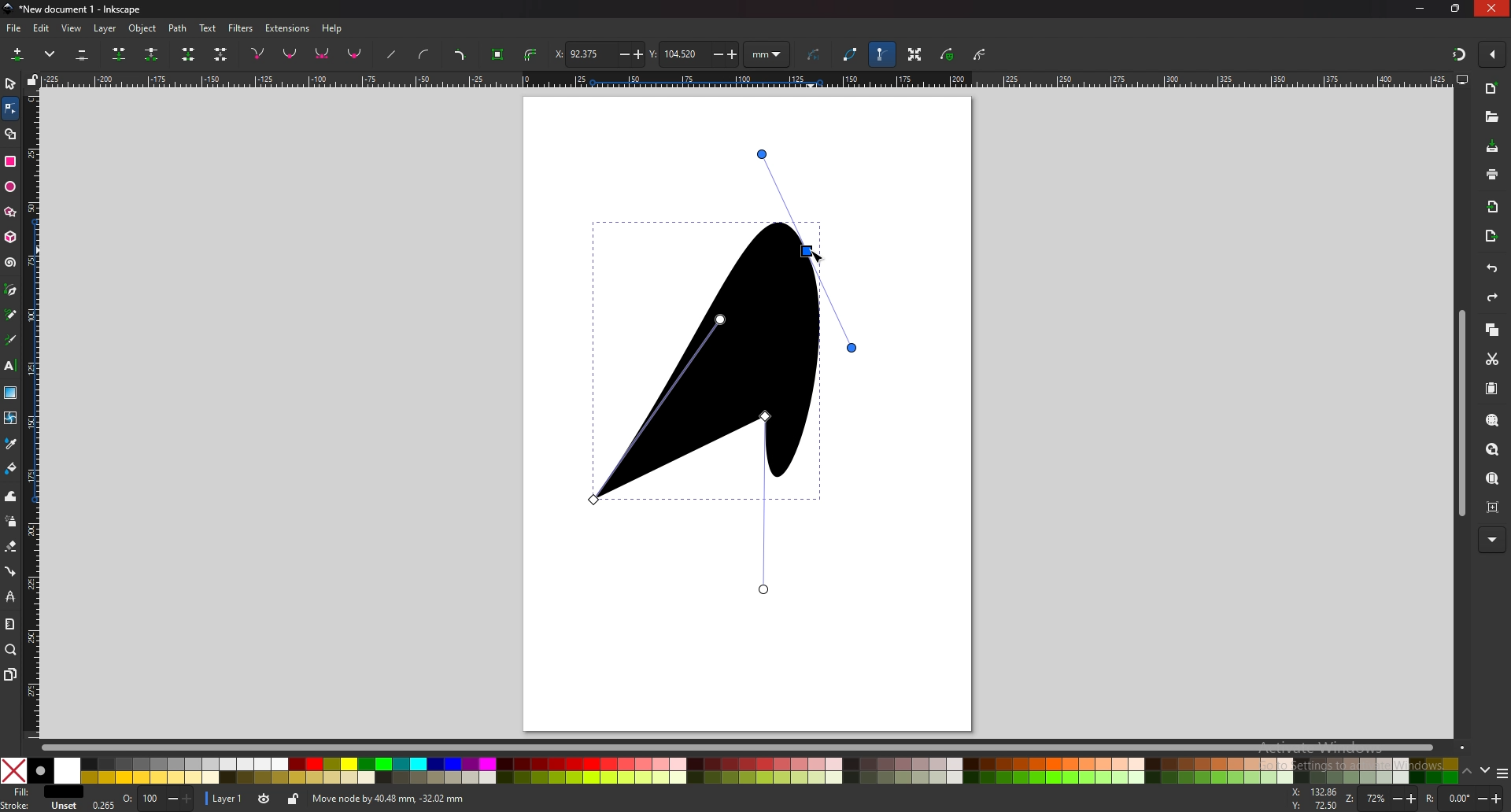 The width and height of the screenshot is (1511, 812). Describe the element at coordinates (730, 770) in the screenshot. I see `colors` at that location.